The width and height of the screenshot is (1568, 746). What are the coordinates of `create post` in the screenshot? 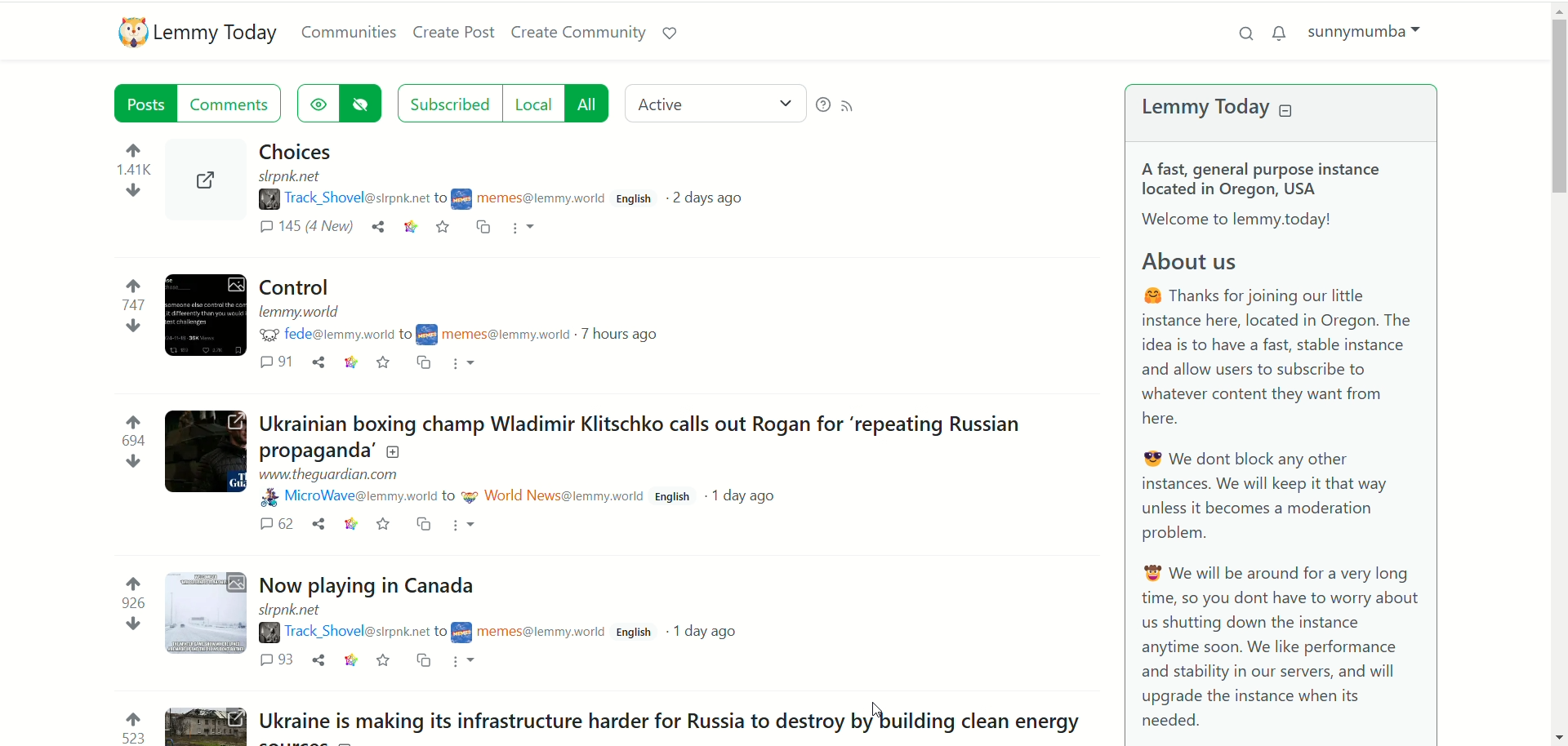 It's located at (452, 30).